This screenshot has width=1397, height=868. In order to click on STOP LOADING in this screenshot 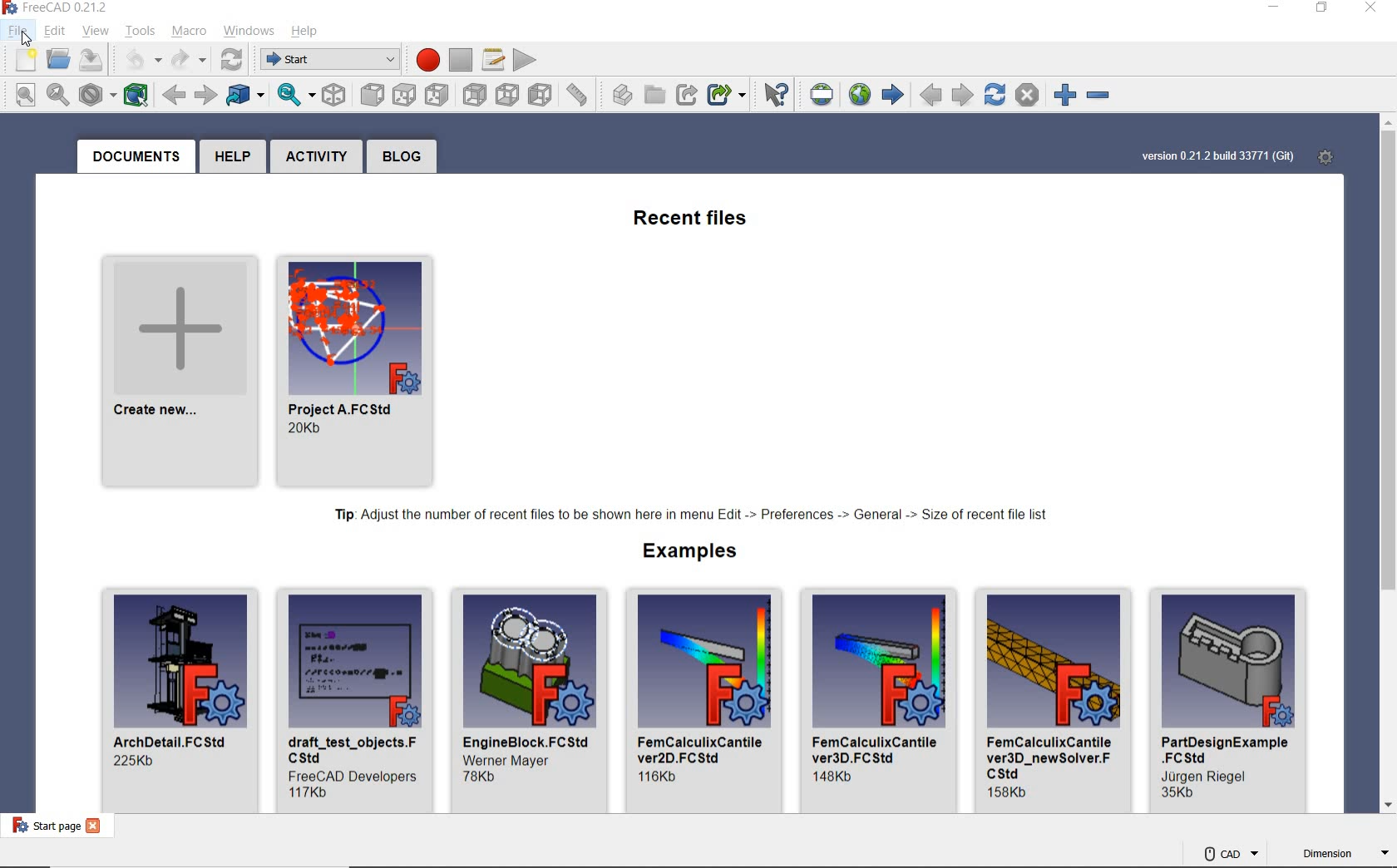, I will do `click(1027, 95)`.